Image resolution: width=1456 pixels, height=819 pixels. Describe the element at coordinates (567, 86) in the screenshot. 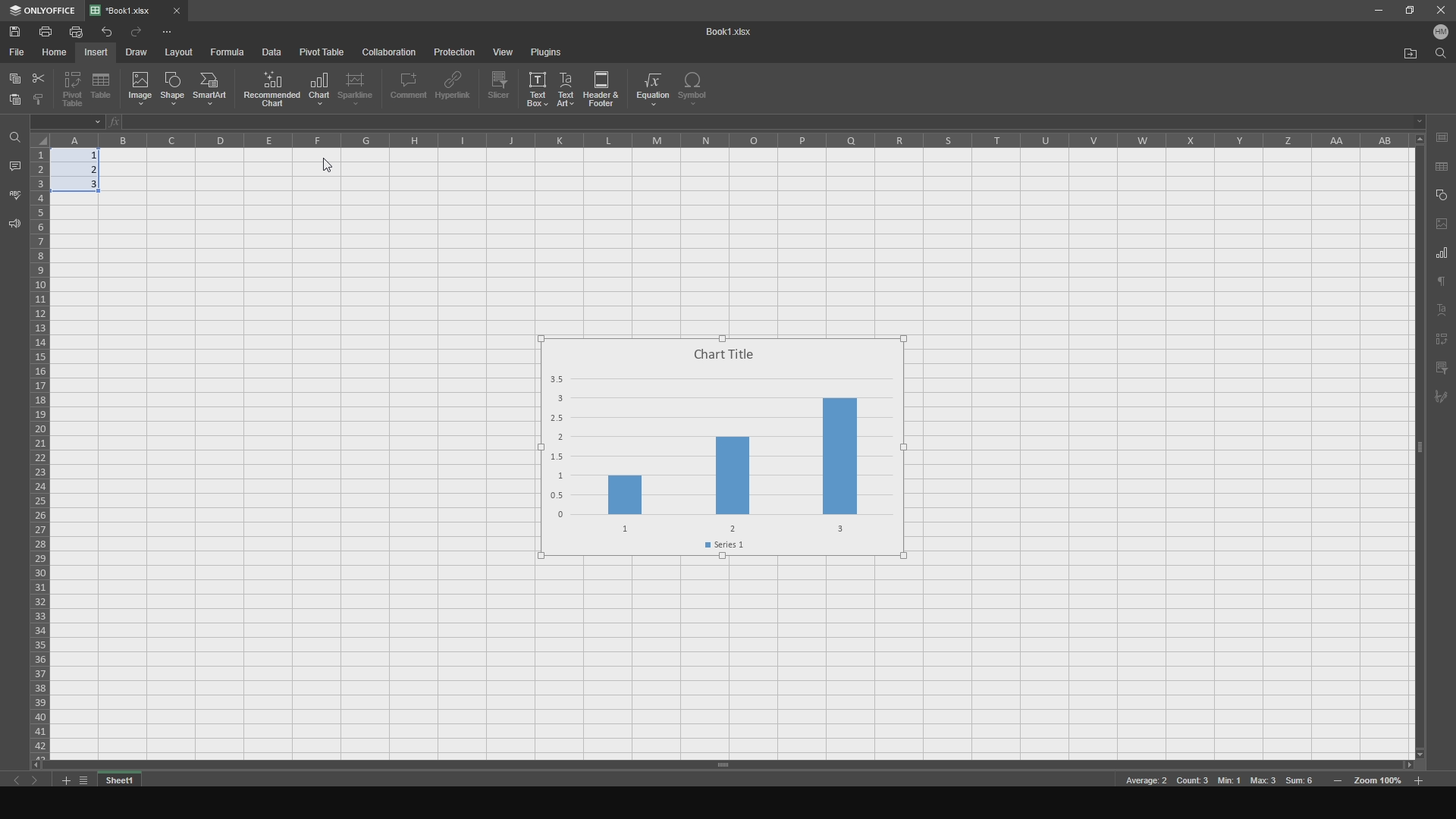

I see `text art` at that location.